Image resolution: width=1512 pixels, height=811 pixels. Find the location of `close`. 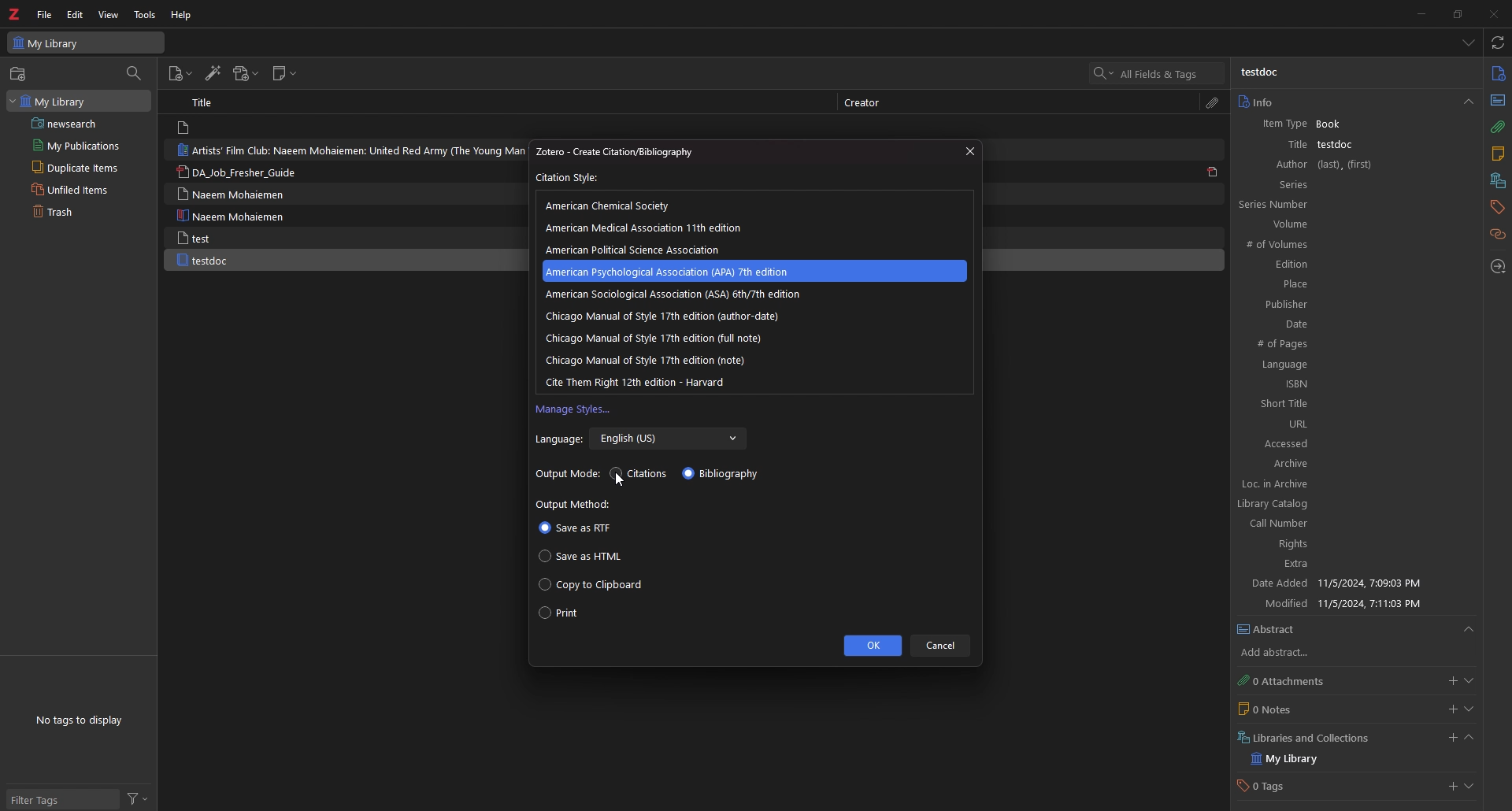

close is located at coordinates (968, 151).